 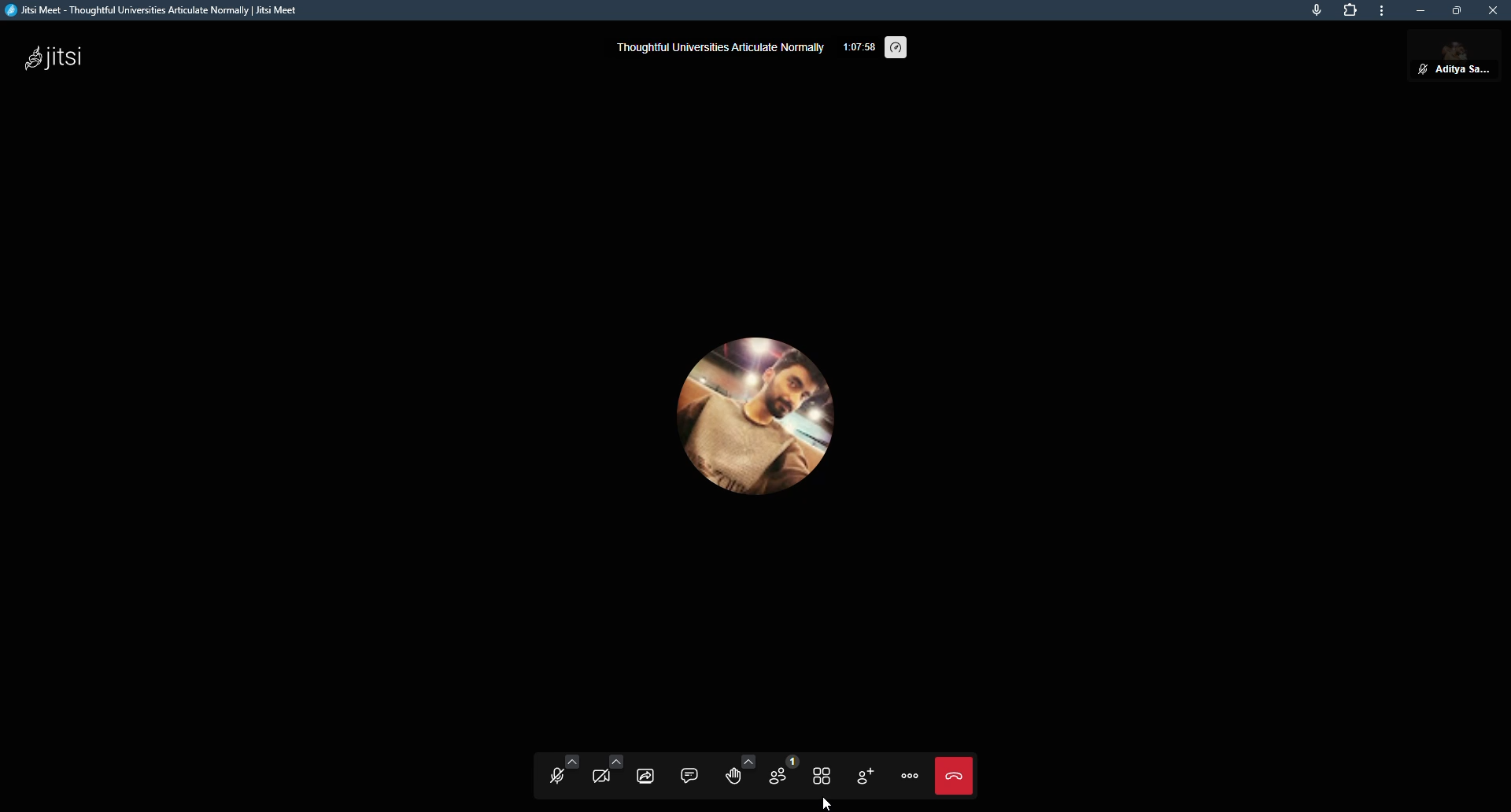 I want to click on maximize, so click(x=1457, y=10).